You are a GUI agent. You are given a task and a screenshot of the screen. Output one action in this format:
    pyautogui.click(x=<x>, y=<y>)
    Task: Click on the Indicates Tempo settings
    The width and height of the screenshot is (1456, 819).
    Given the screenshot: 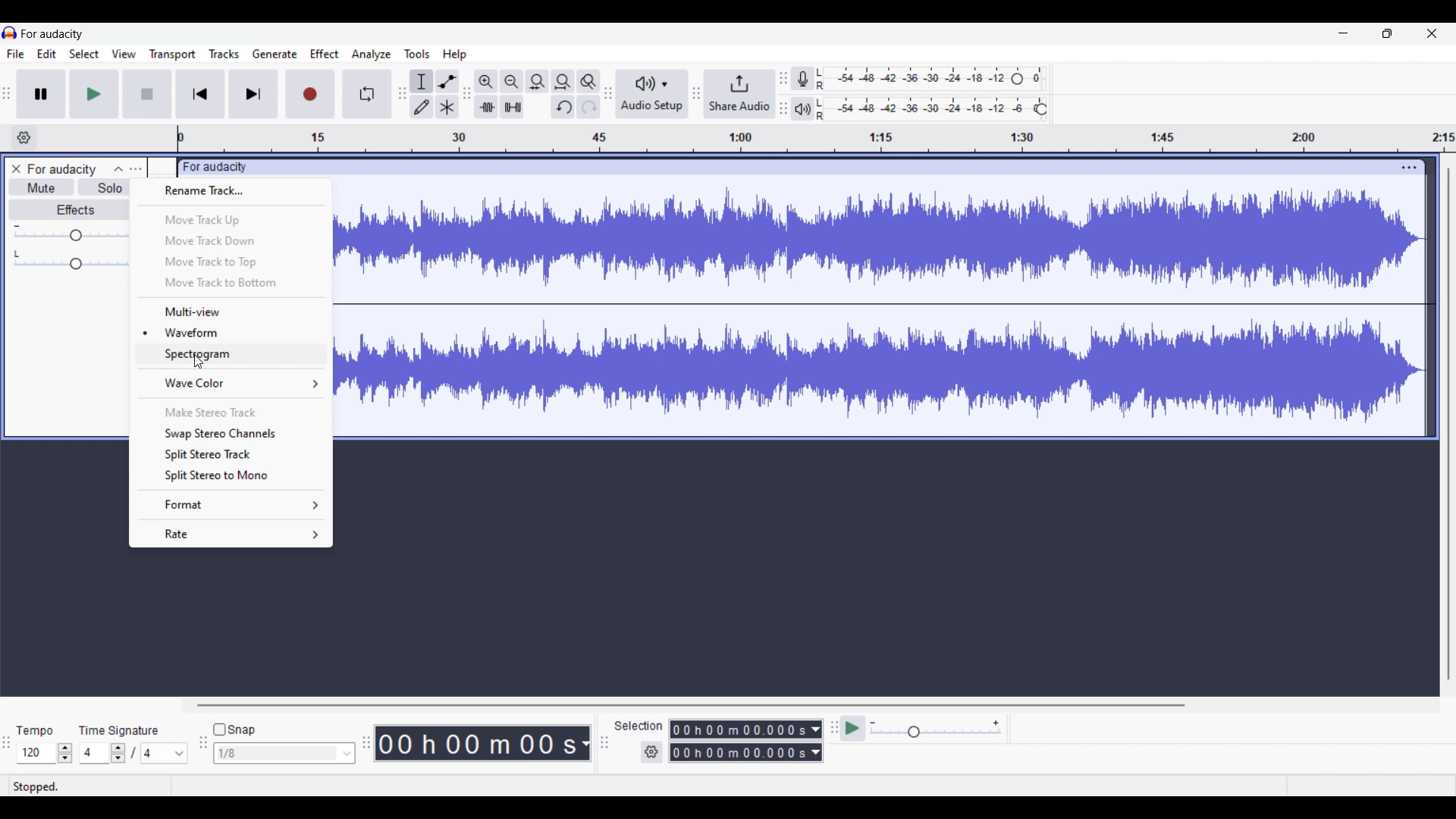 What is the action you would take?
    pyautogui.click(x=36, y=731)
    